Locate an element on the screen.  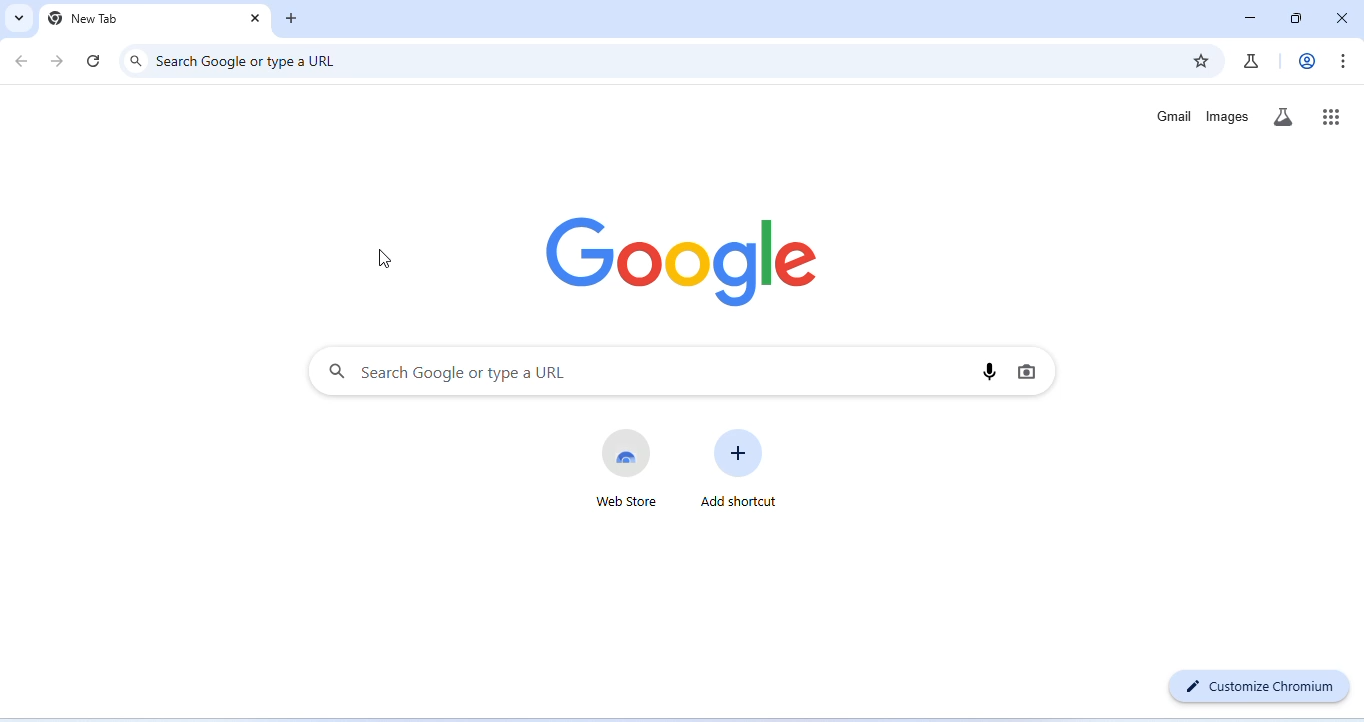
customize and control chromium is located at coordinates (1342, 61).